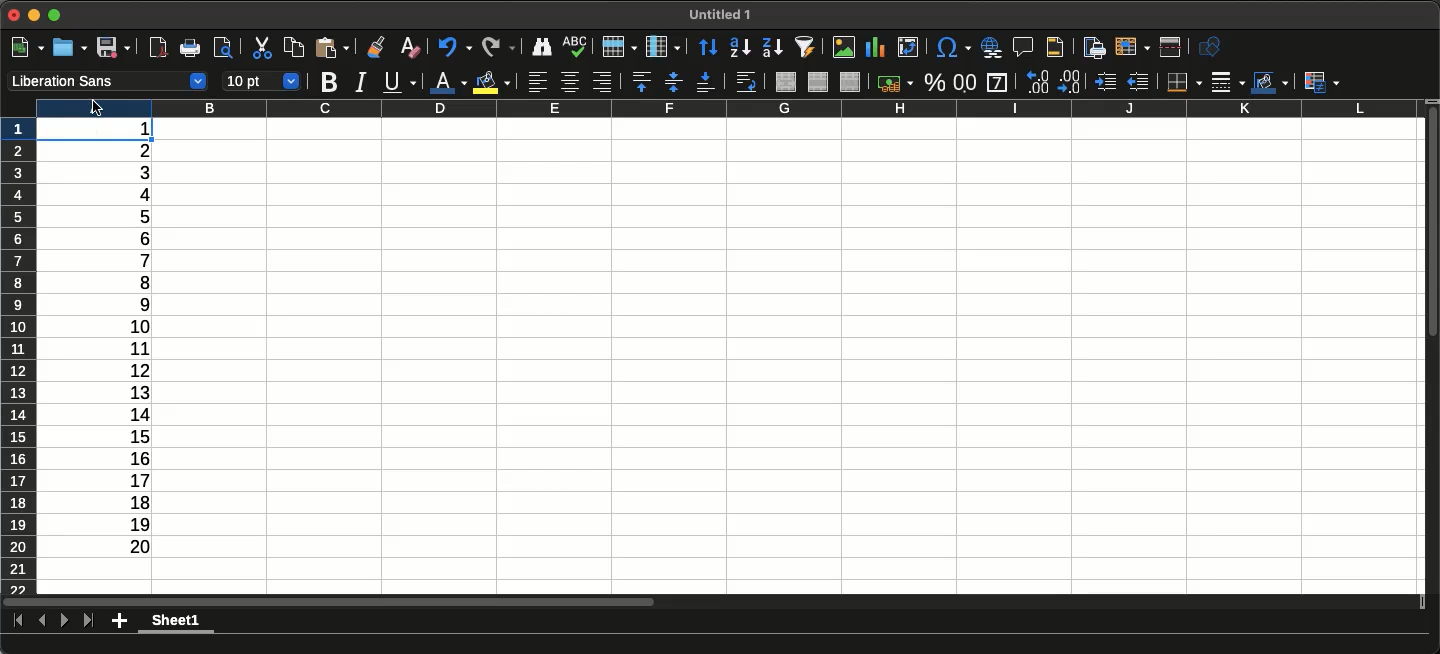  Describe the element at coordinates (114, 46) in the screenshot. I see `Save` at that location.